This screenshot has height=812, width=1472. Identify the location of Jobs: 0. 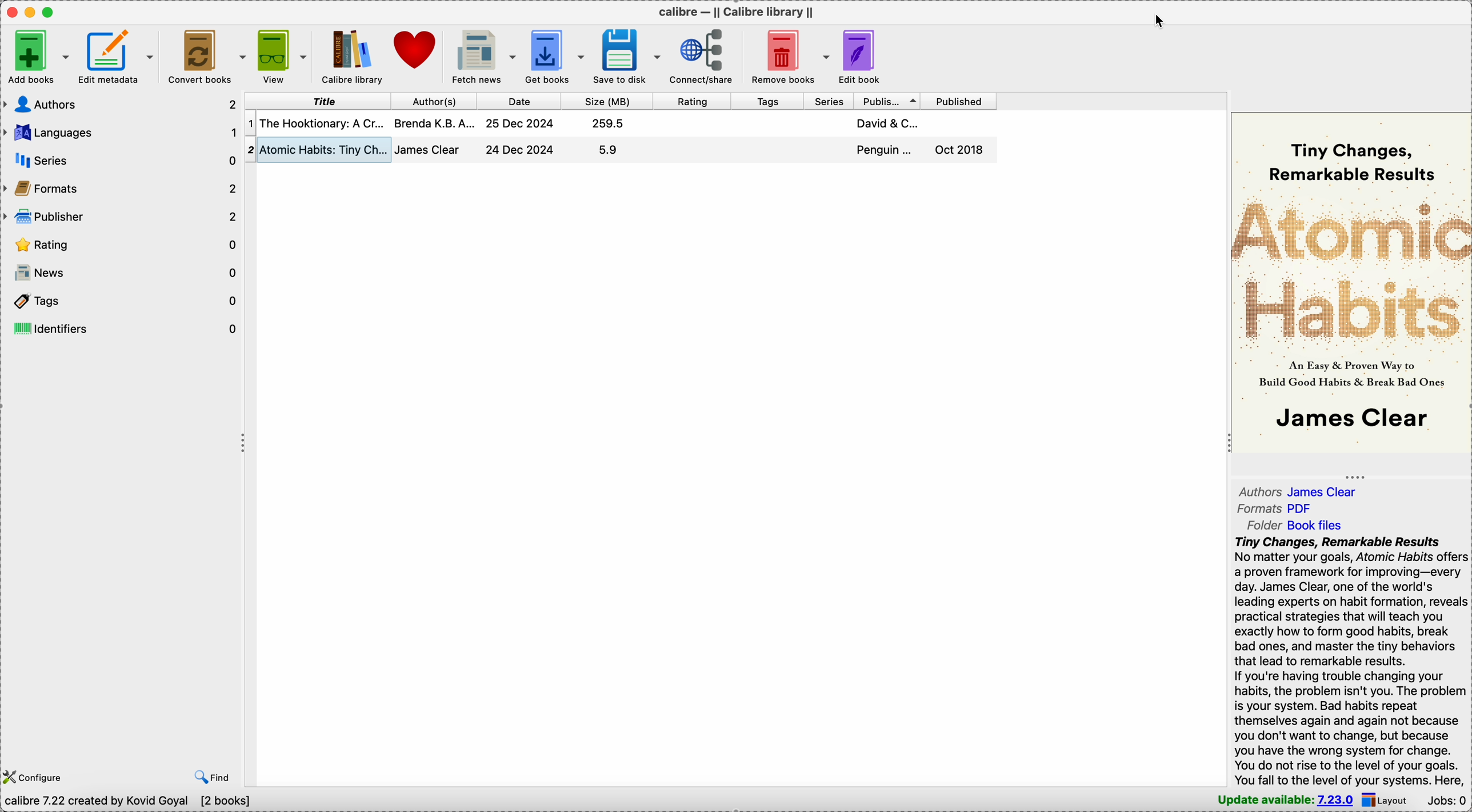
(1449, 801).